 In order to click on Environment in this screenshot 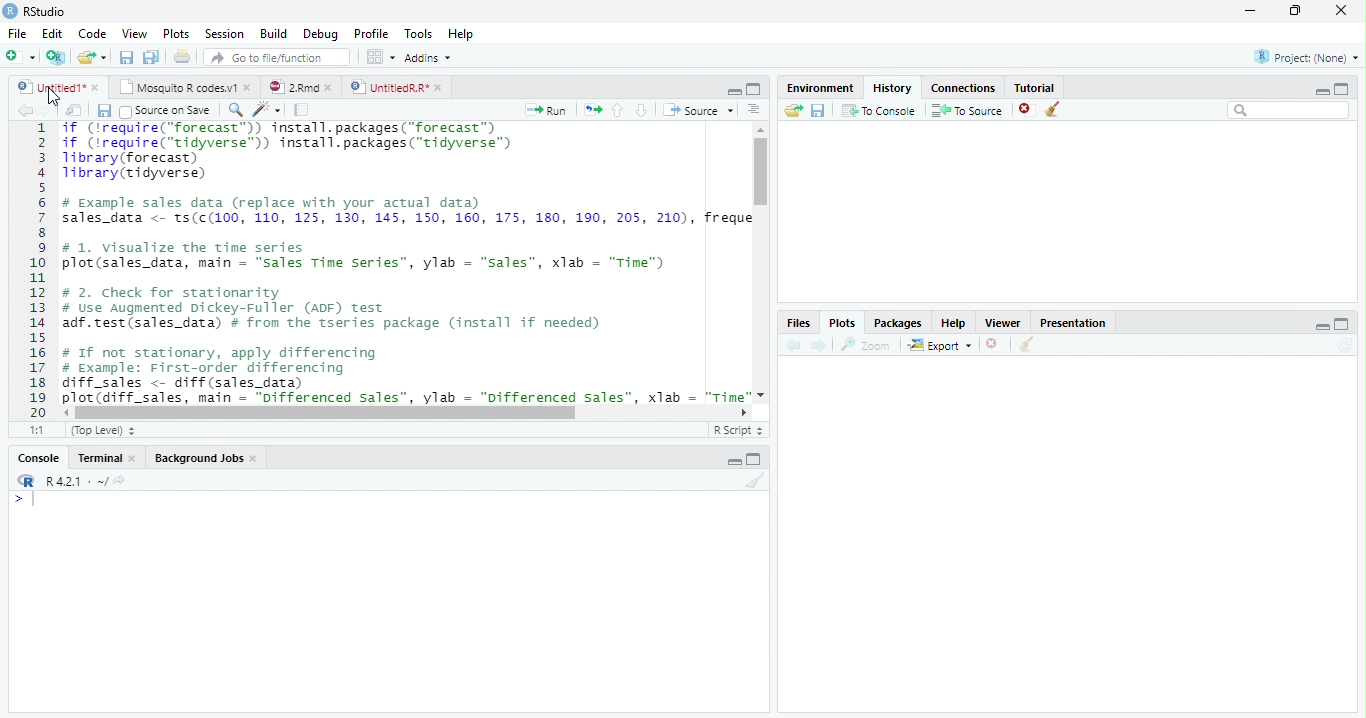, I will do `click(822, 89)`.